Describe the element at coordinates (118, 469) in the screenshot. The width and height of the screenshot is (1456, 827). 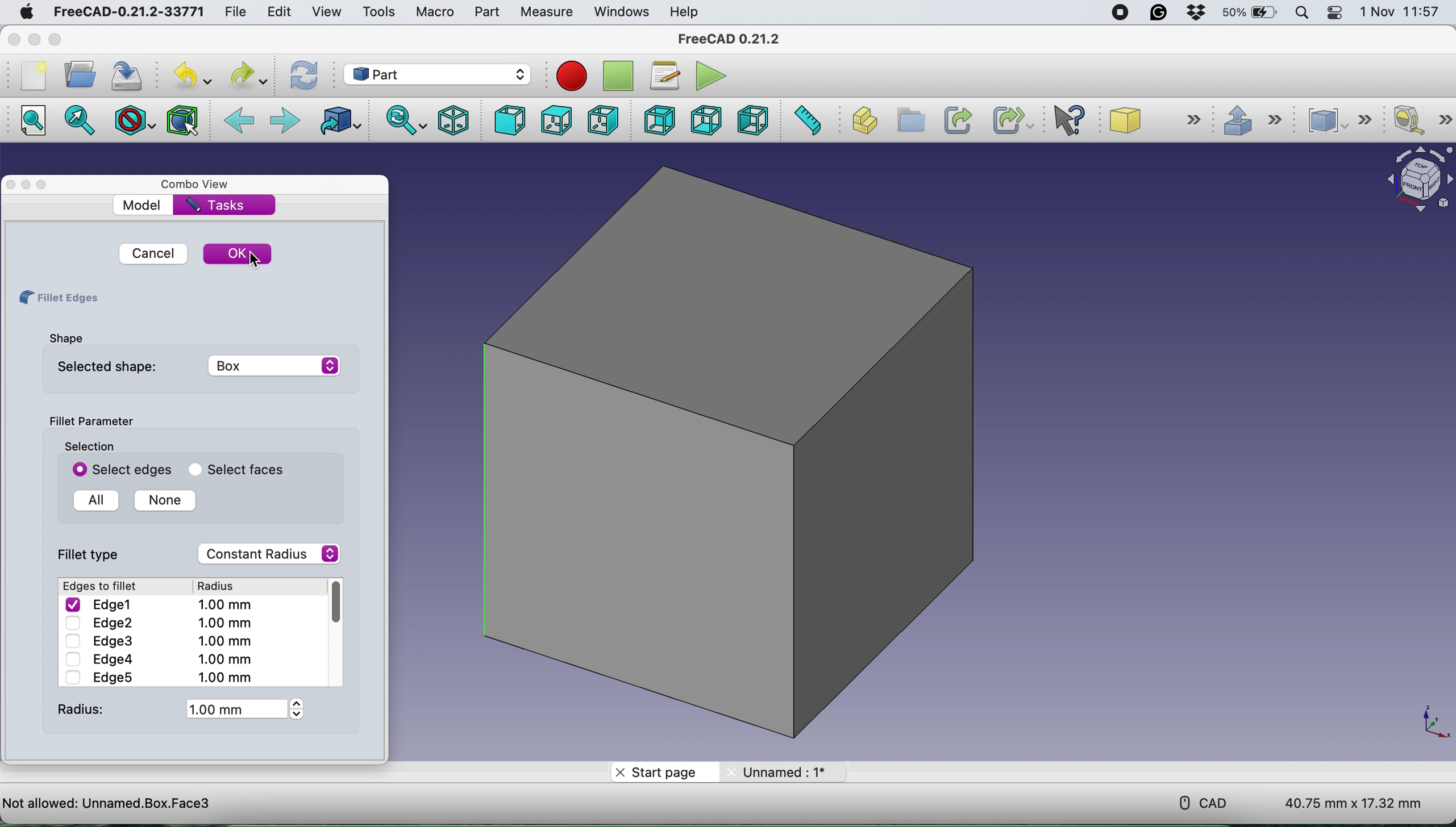
I see `Selected Edges` at that location.